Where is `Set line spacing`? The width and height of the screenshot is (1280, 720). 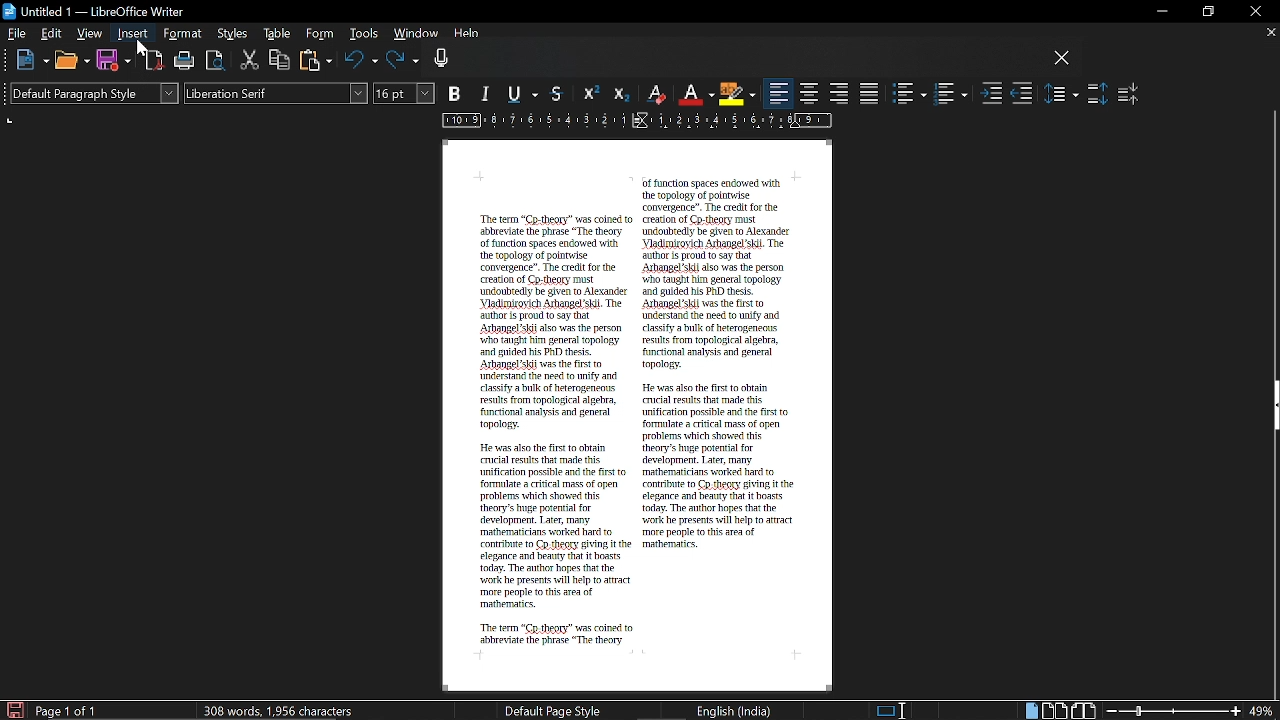
Set line spacing is located at coordinates (1062, 93).